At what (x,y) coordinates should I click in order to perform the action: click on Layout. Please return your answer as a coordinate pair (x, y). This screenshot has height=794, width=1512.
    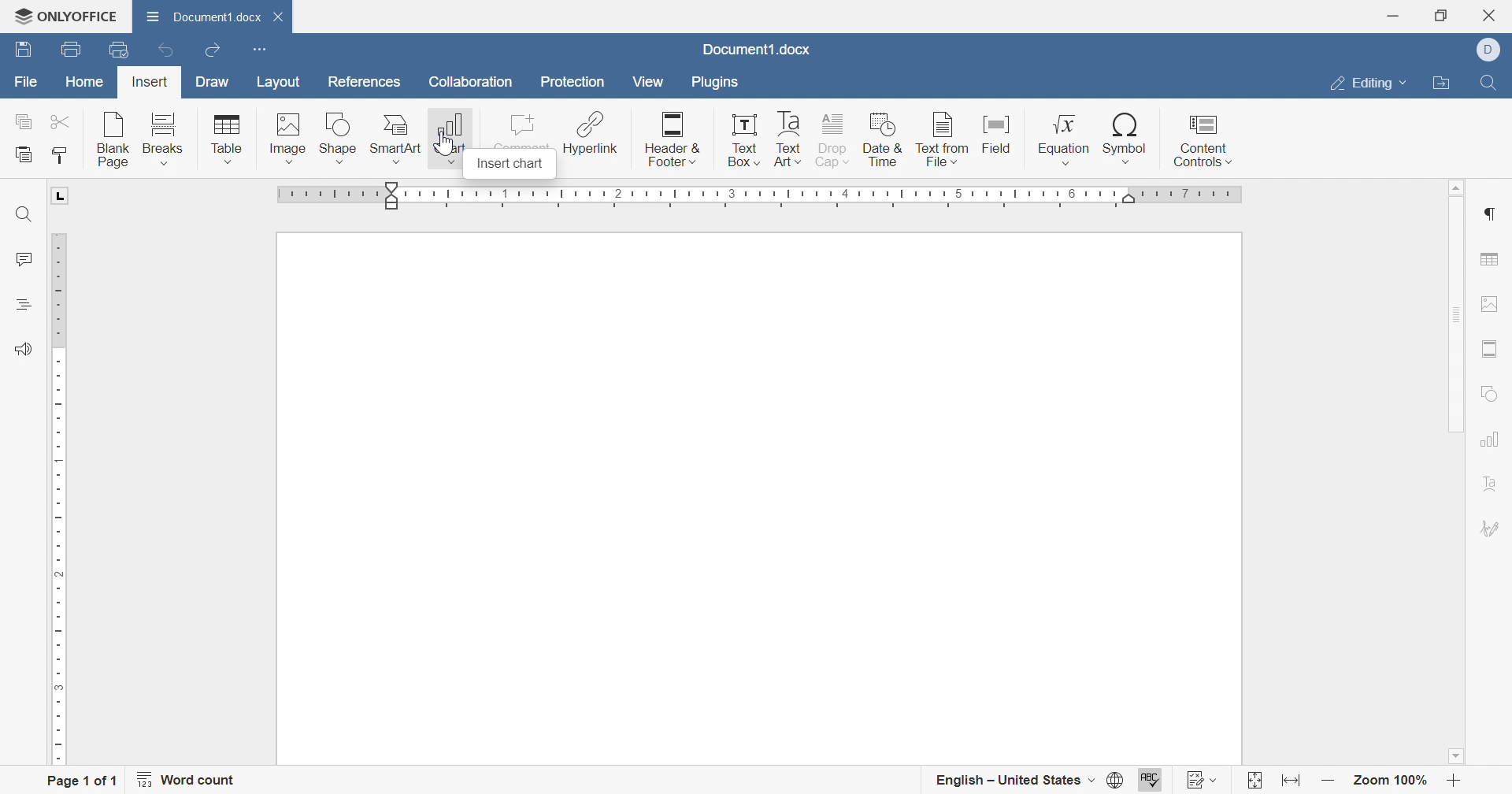
    Looking at the image, I should click on (278, 81).